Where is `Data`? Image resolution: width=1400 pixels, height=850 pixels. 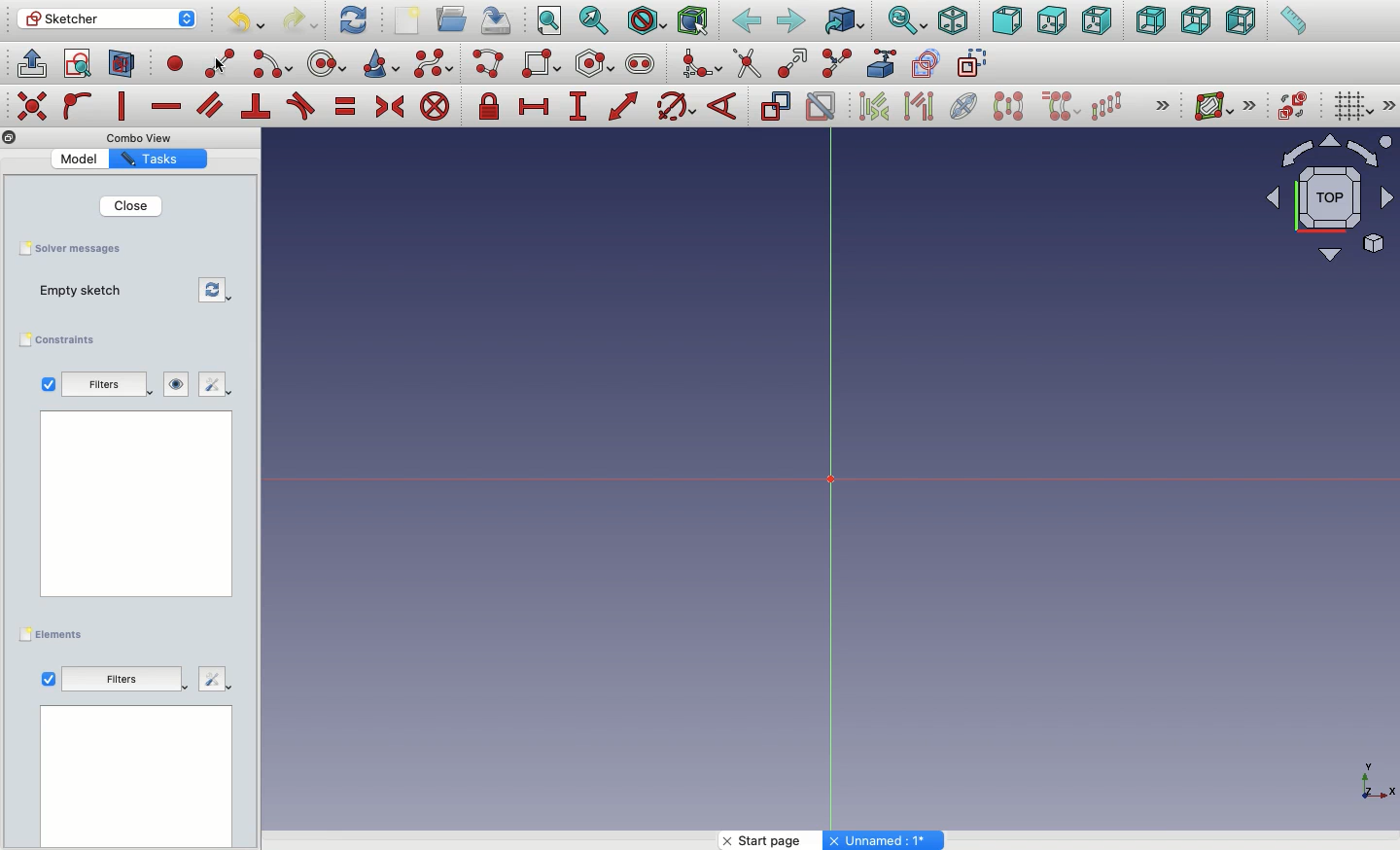
Data is located at coordinates (135, 775).